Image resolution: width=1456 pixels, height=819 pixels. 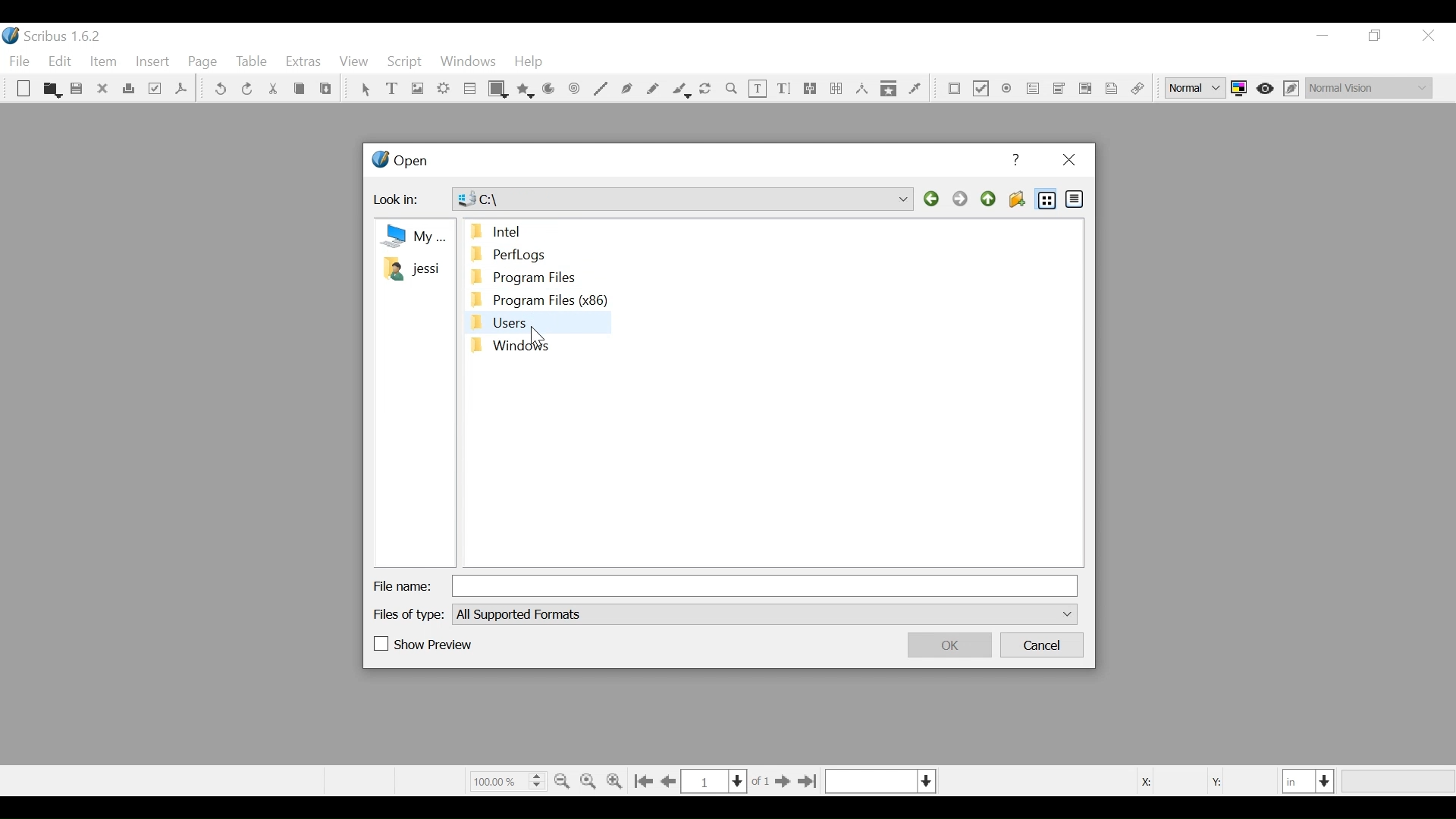 I want to click on my Computer, so click(x=412, y=235).